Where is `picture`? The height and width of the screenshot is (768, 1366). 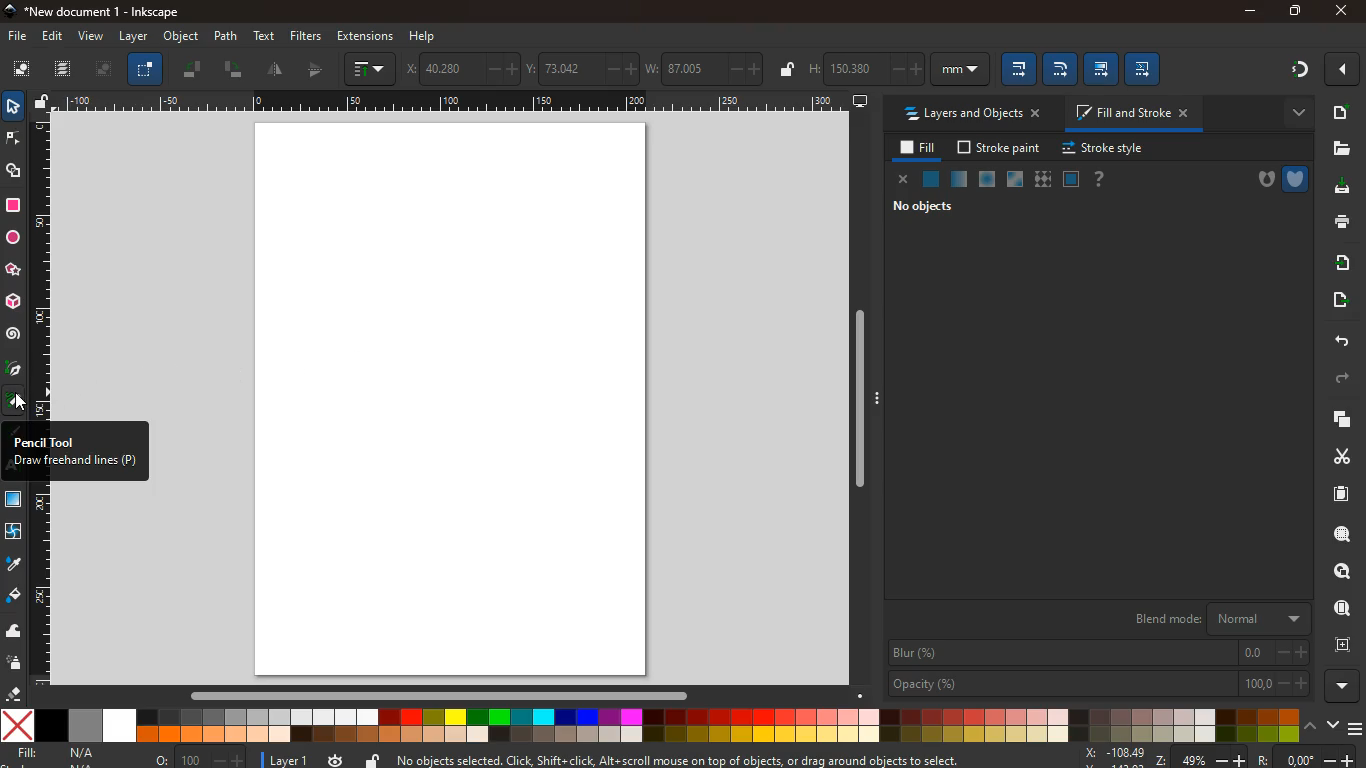 picture is located at coordinates (102, 69).